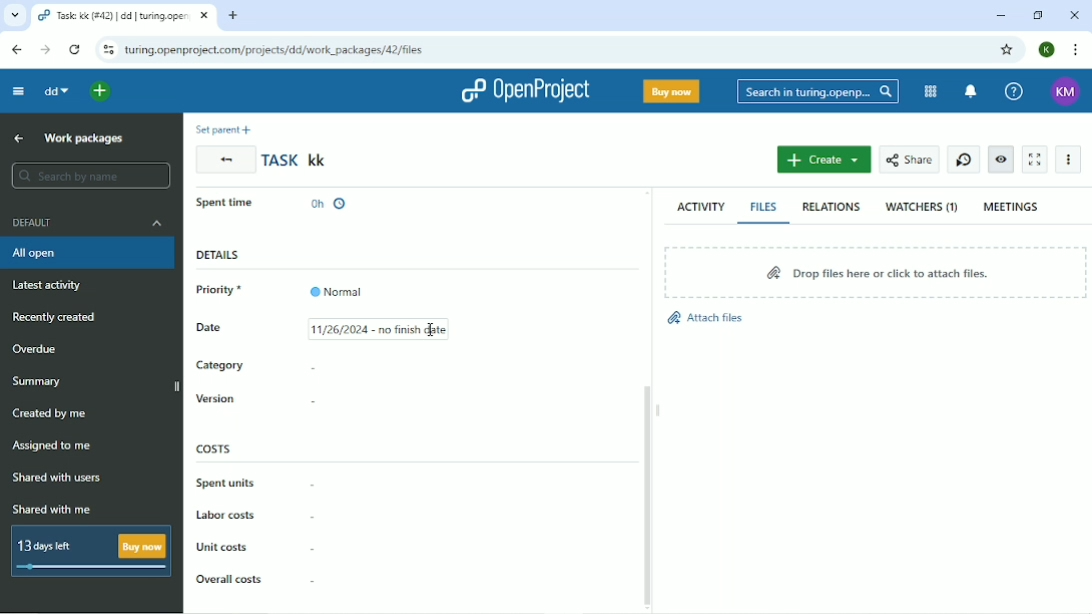 Image resolution: width=1092 pixels, height=614 pixels. Describe the element at coordinates (524, 91) in the screenshot. I see `OpenProject` at that location.